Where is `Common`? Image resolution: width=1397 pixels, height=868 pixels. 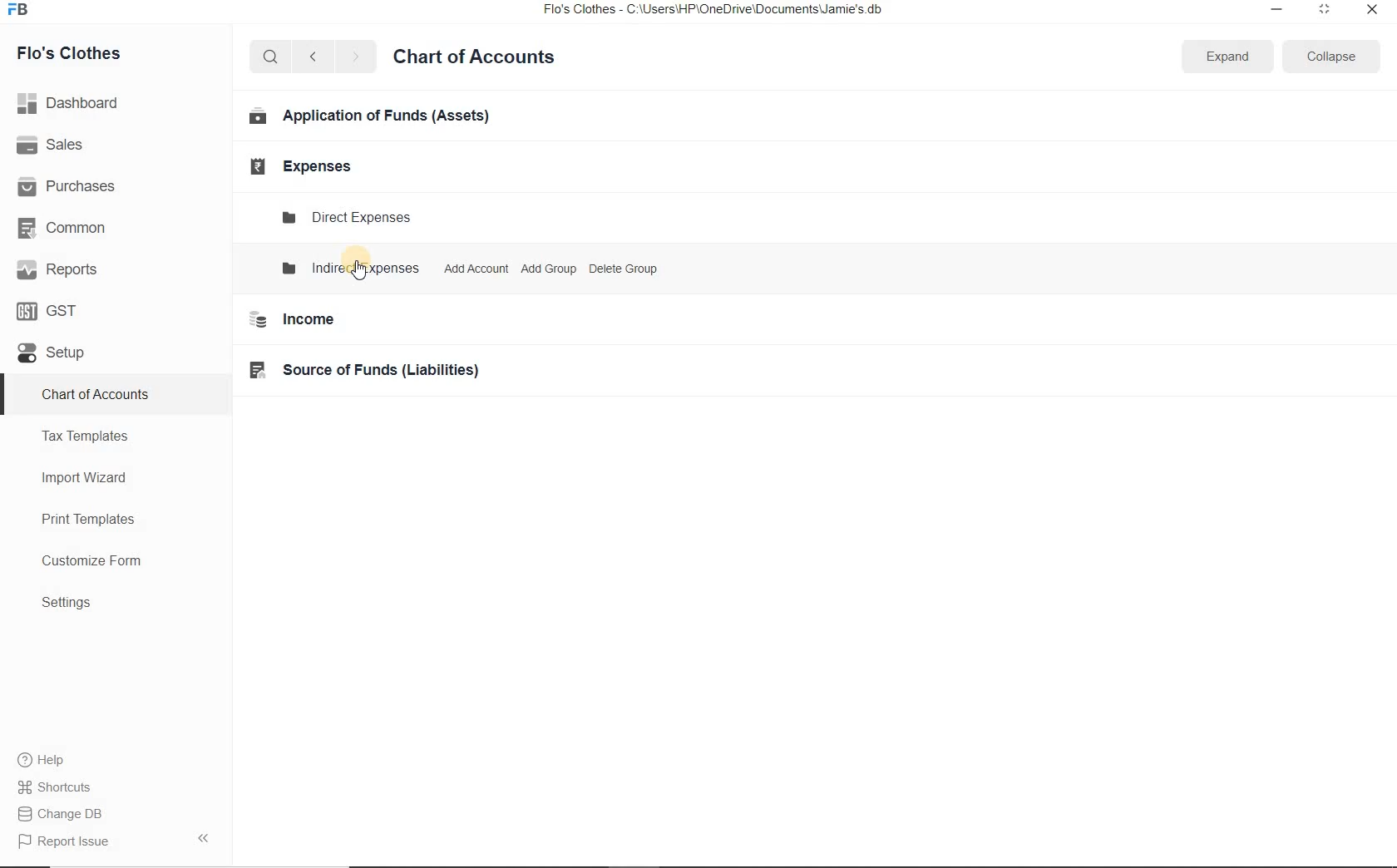 Common is located at coordinates (67, 227).